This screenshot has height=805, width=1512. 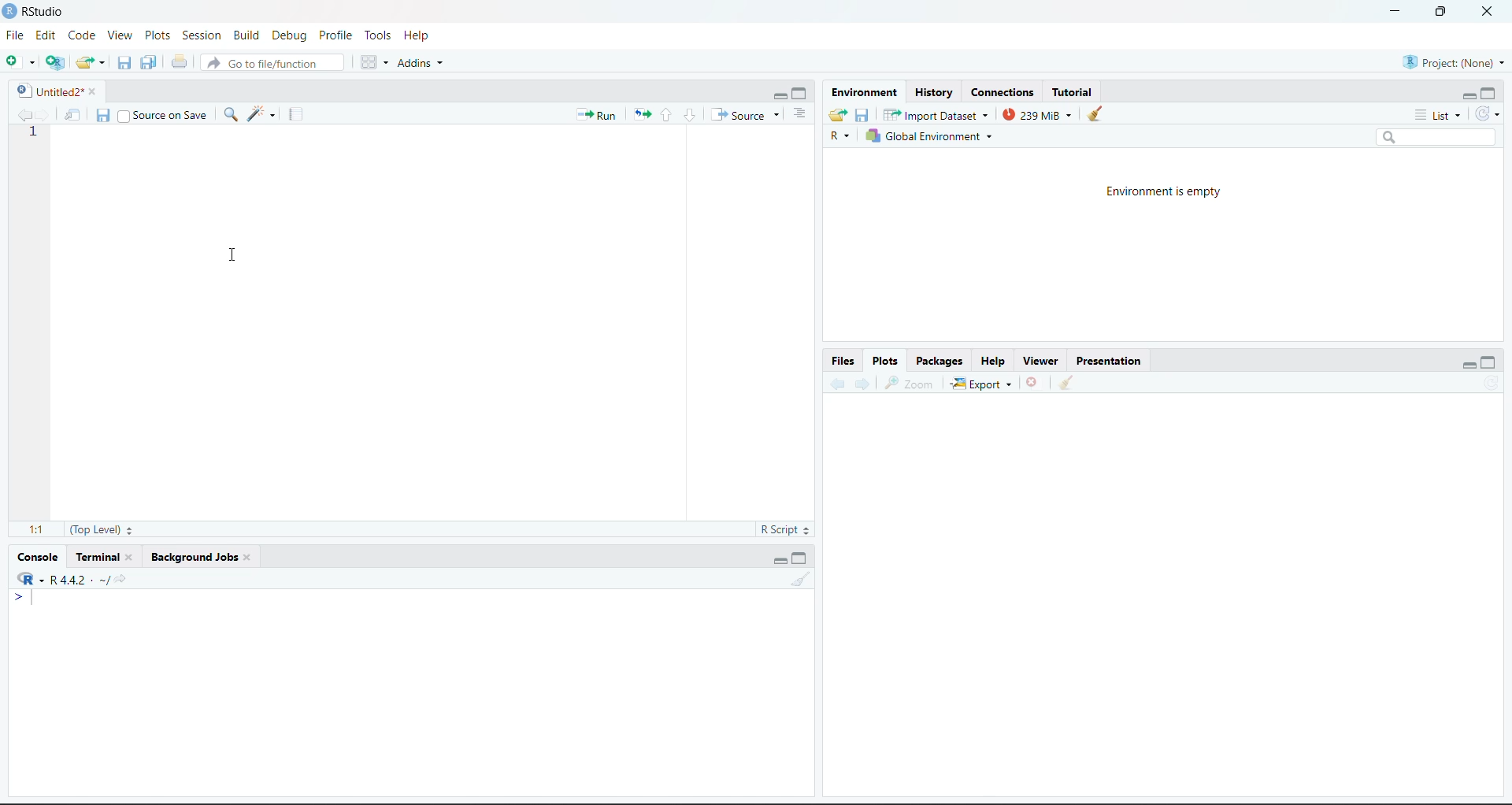 I want to click on Refresh the list of objects in the environment, so click(x=1492, y=117).